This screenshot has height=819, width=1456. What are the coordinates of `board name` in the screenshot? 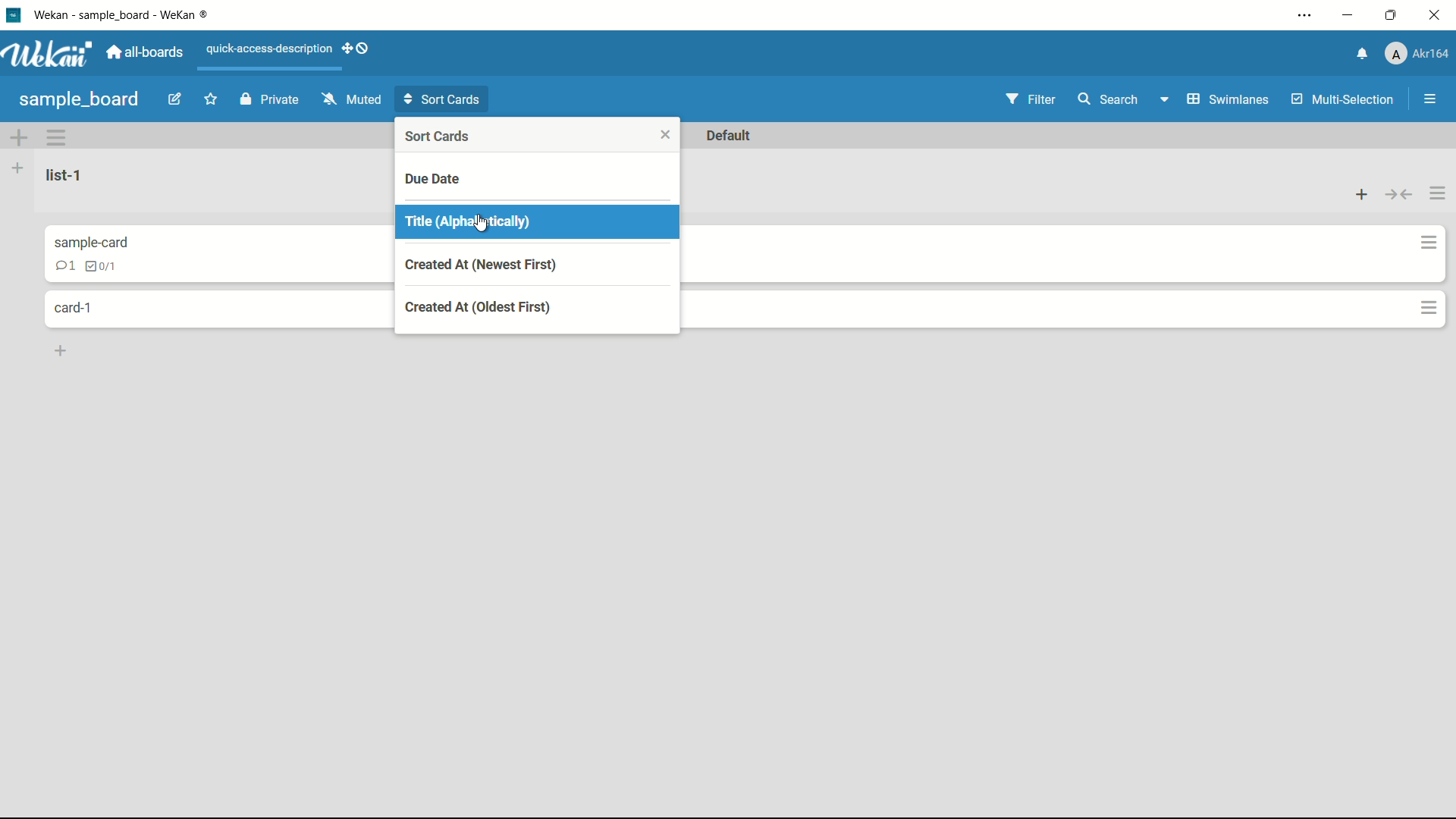 It's located at (81, 101).